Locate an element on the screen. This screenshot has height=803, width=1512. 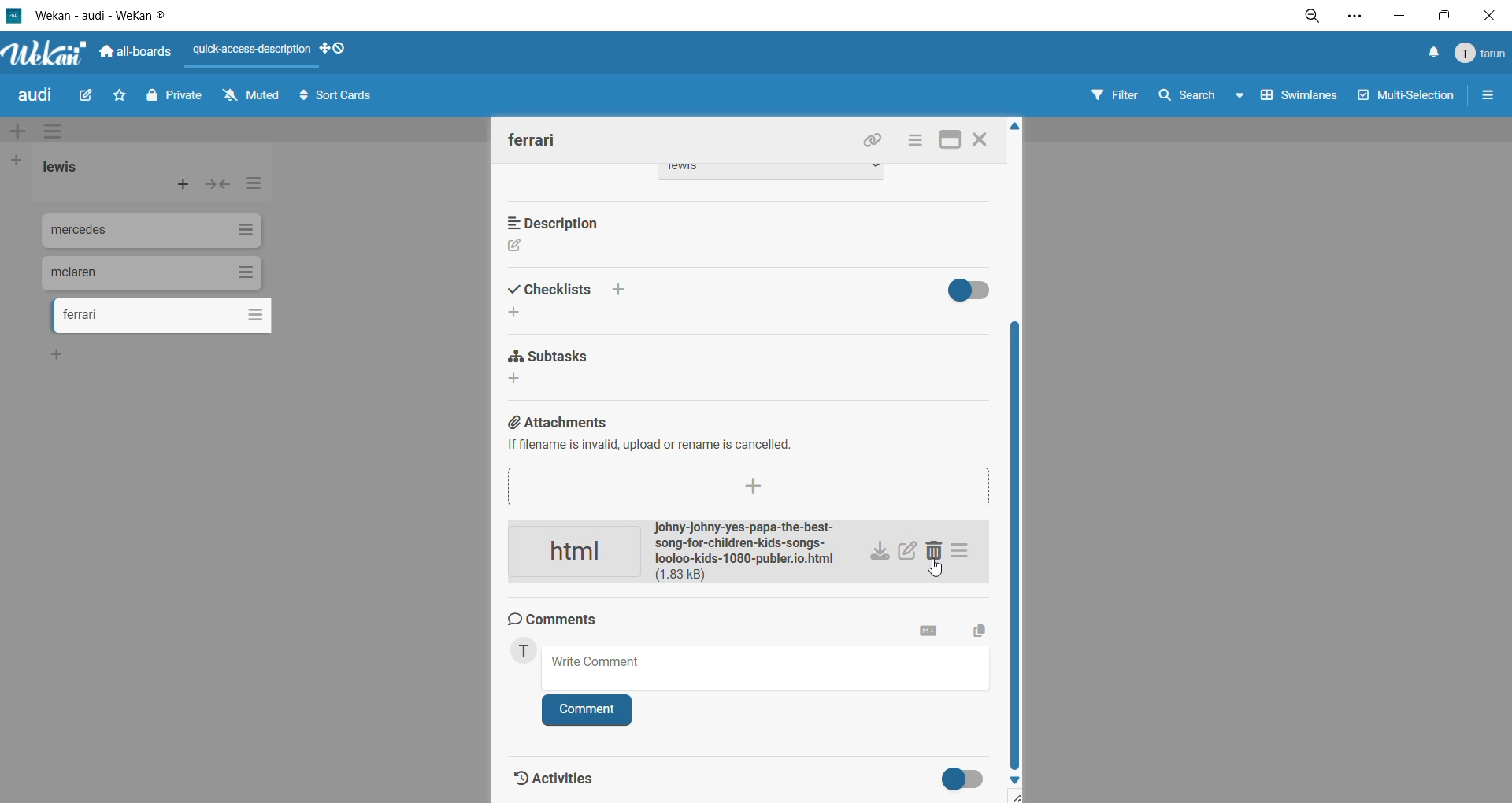
attachments is located at coordinates (743, 439).